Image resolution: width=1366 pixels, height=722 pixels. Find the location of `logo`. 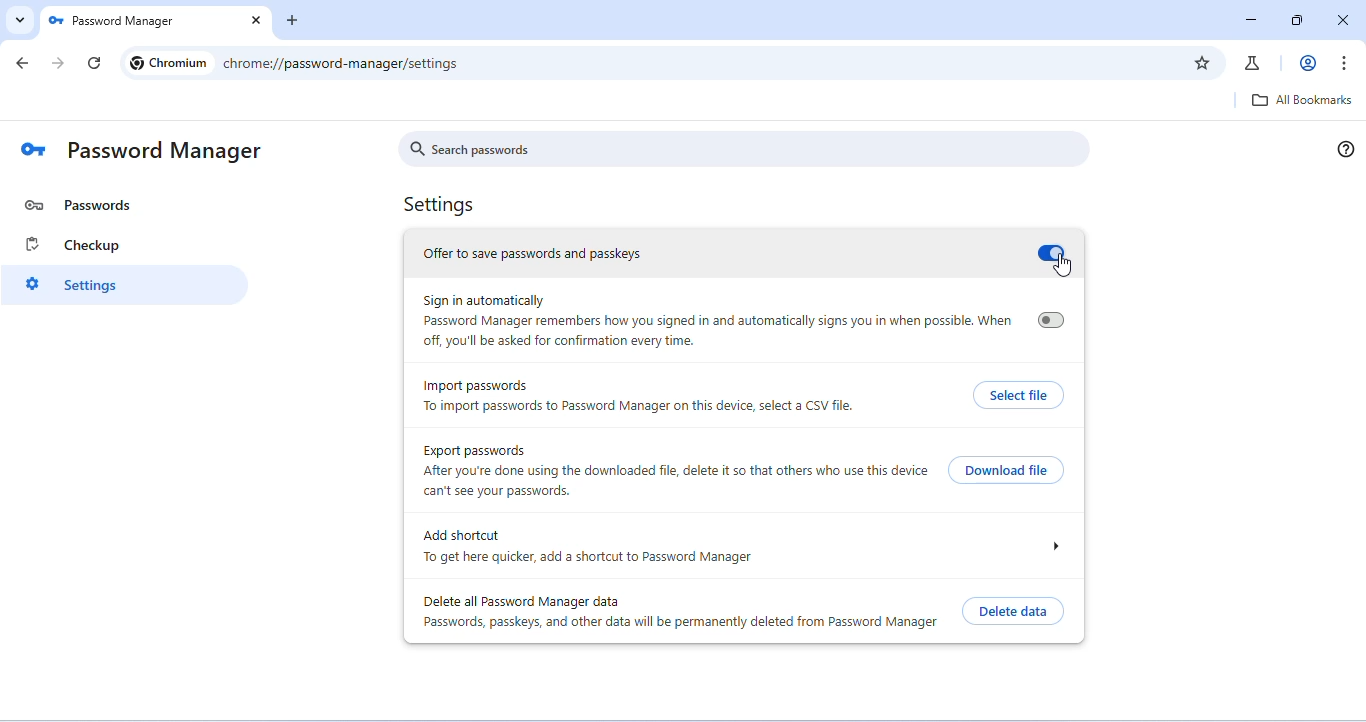

logo is located at coordinates (56, 21).